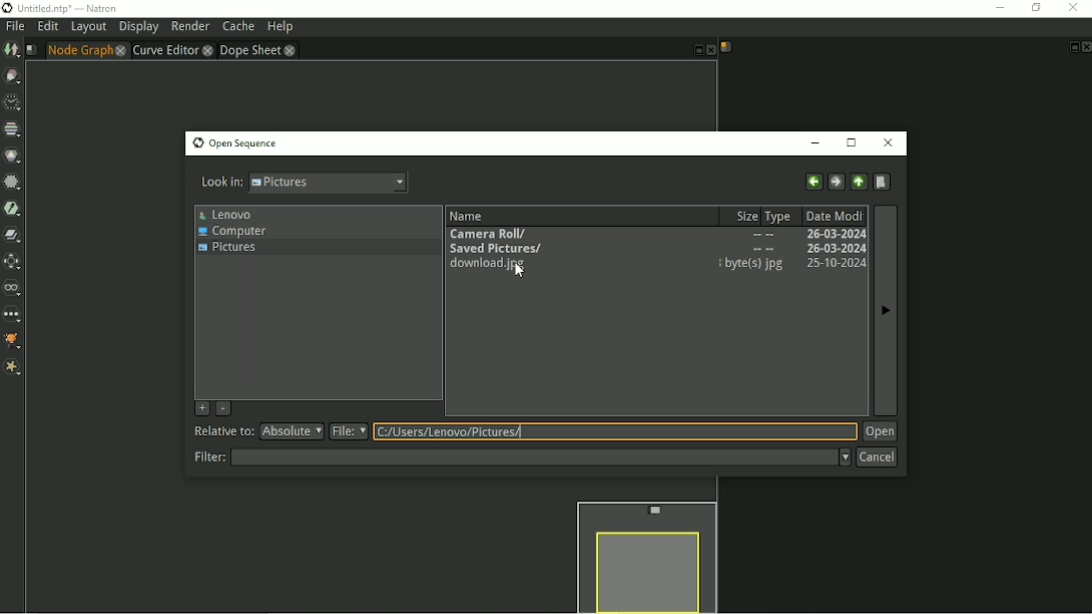 The height and width of the screenshot is (614, 1092). Describe the element at coordinates (279, 27) in the screenshot. I see `Help` at that location.